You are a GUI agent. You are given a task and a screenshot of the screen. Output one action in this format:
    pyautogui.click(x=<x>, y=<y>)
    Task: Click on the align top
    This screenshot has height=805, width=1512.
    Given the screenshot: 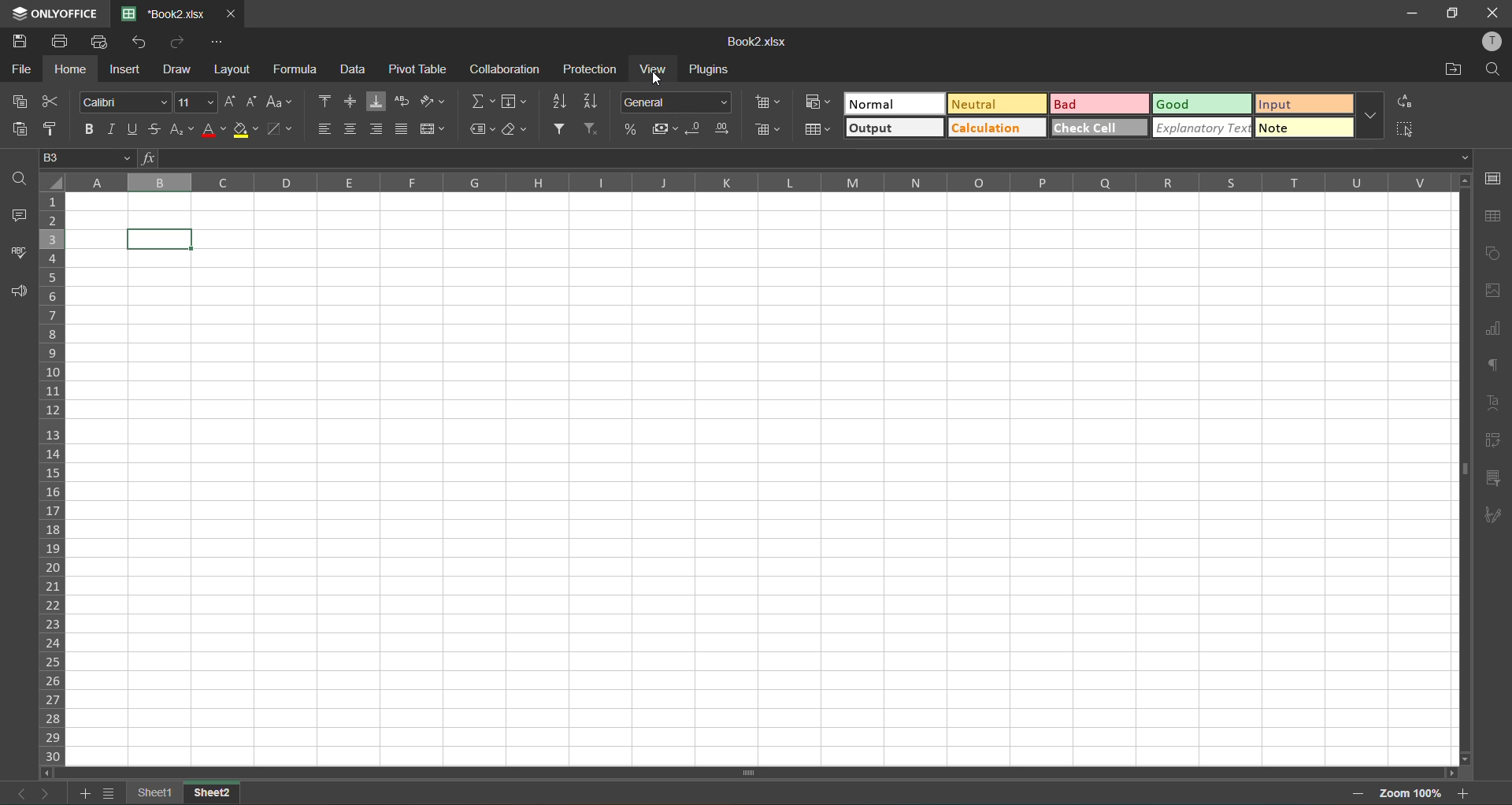 What is the action you would take?
    pyautogui.click(x=328, y=102)
    